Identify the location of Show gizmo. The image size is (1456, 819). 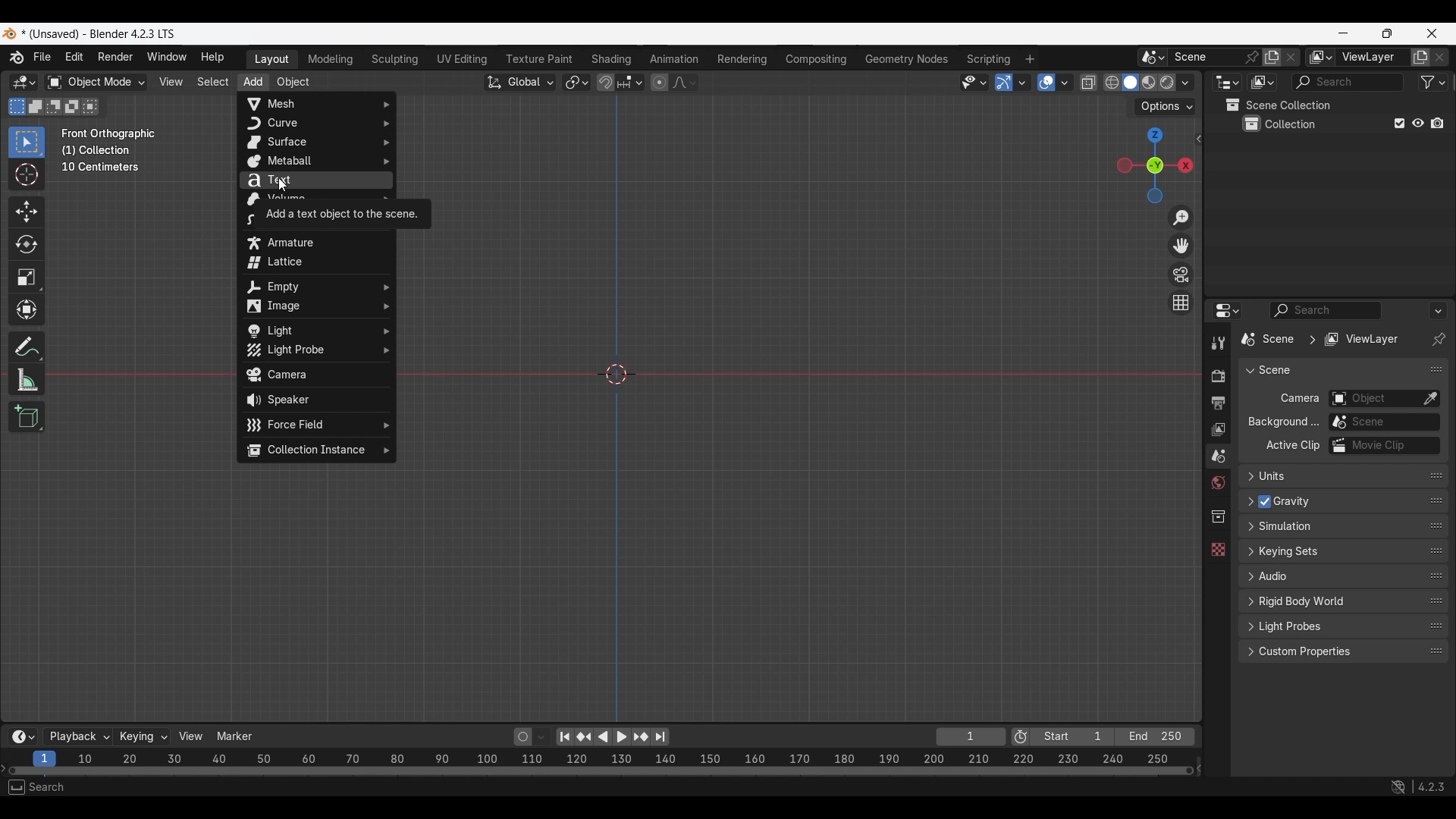
(1004, 83).